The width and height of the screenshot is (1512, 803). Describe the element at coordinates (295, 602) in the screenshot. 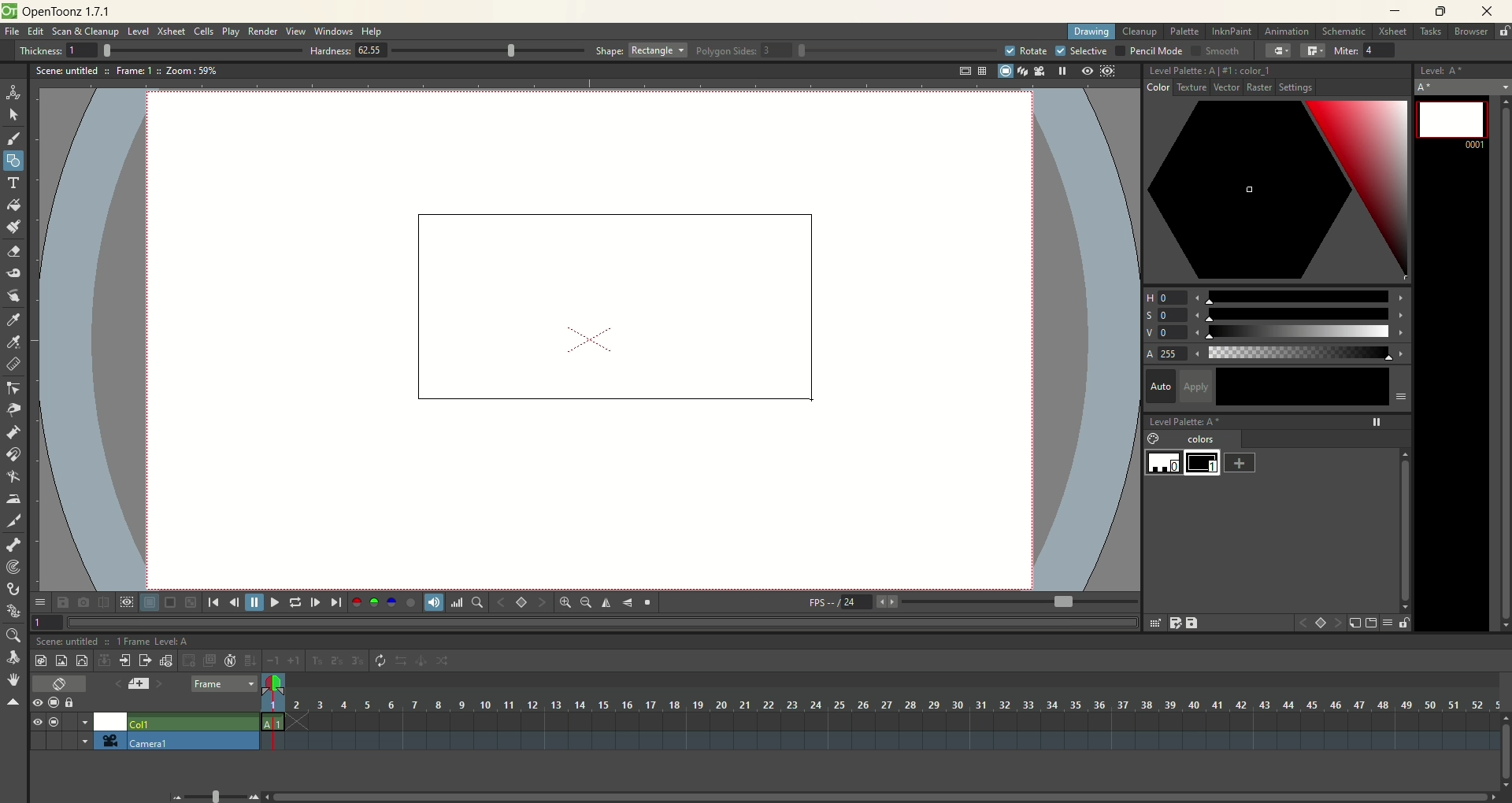

I see `loop` at that location.